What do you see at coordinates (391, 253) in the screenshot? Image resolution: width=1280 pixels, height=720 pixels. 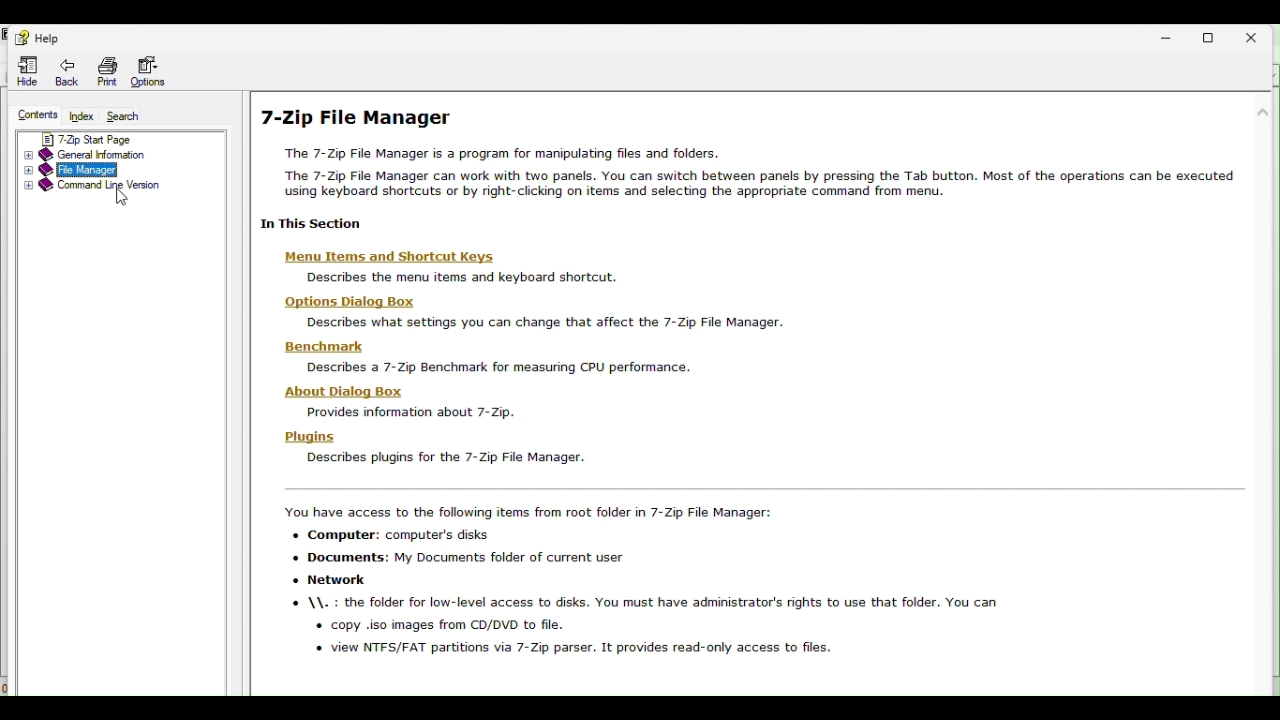 I see `Menu items and shortcut keys` at bounding box center [391, 253].